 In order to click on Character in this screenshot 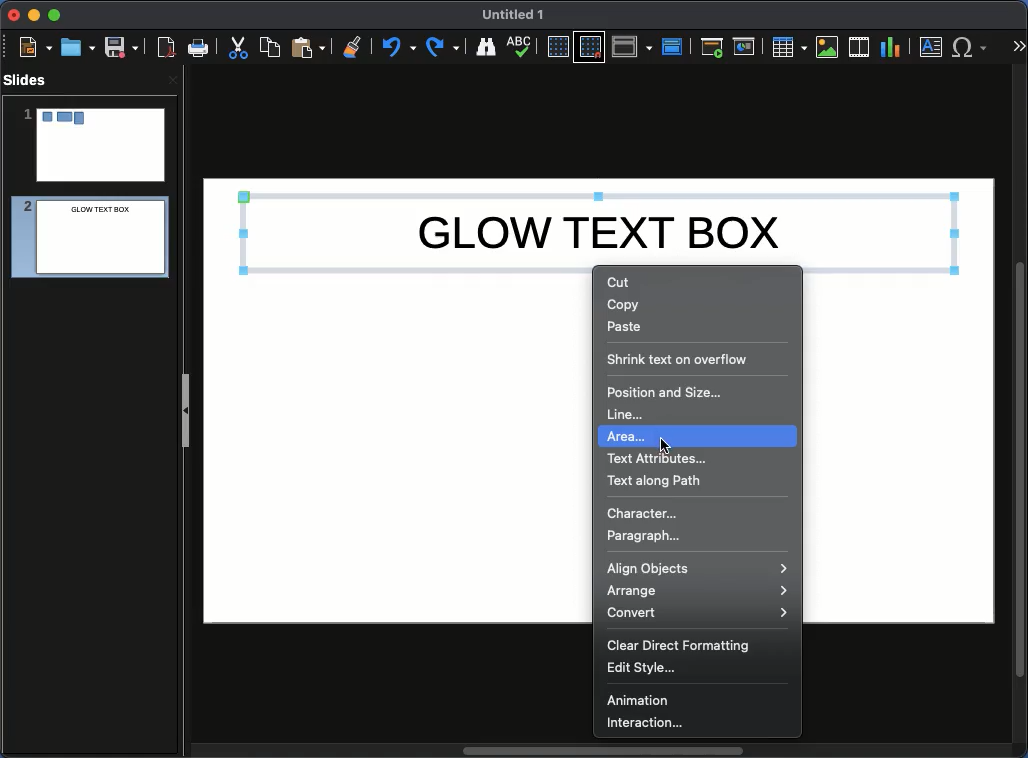, I will do `click(641, 513)`.